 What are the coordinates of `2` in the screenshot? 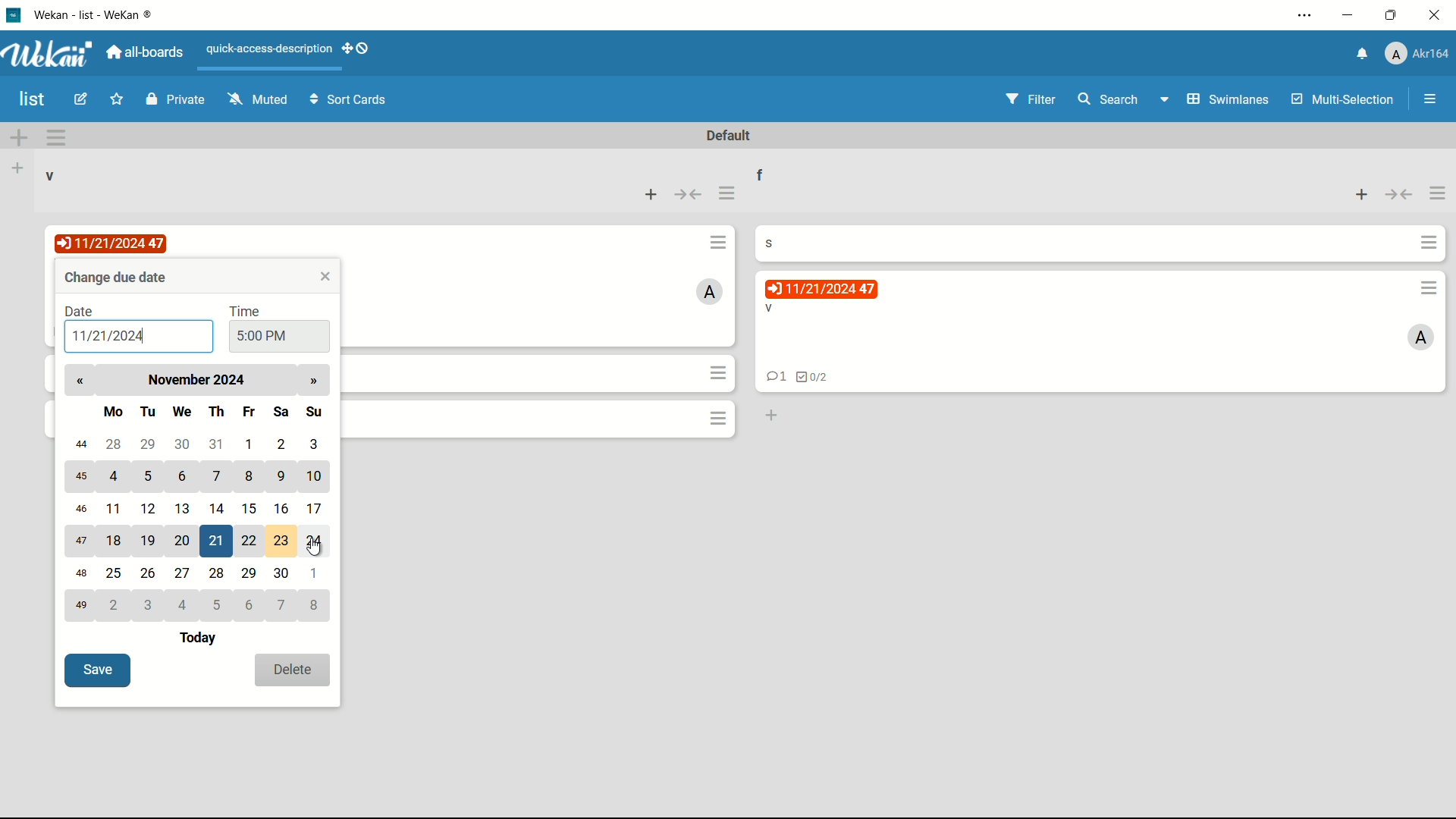 It's located at (282, 443).